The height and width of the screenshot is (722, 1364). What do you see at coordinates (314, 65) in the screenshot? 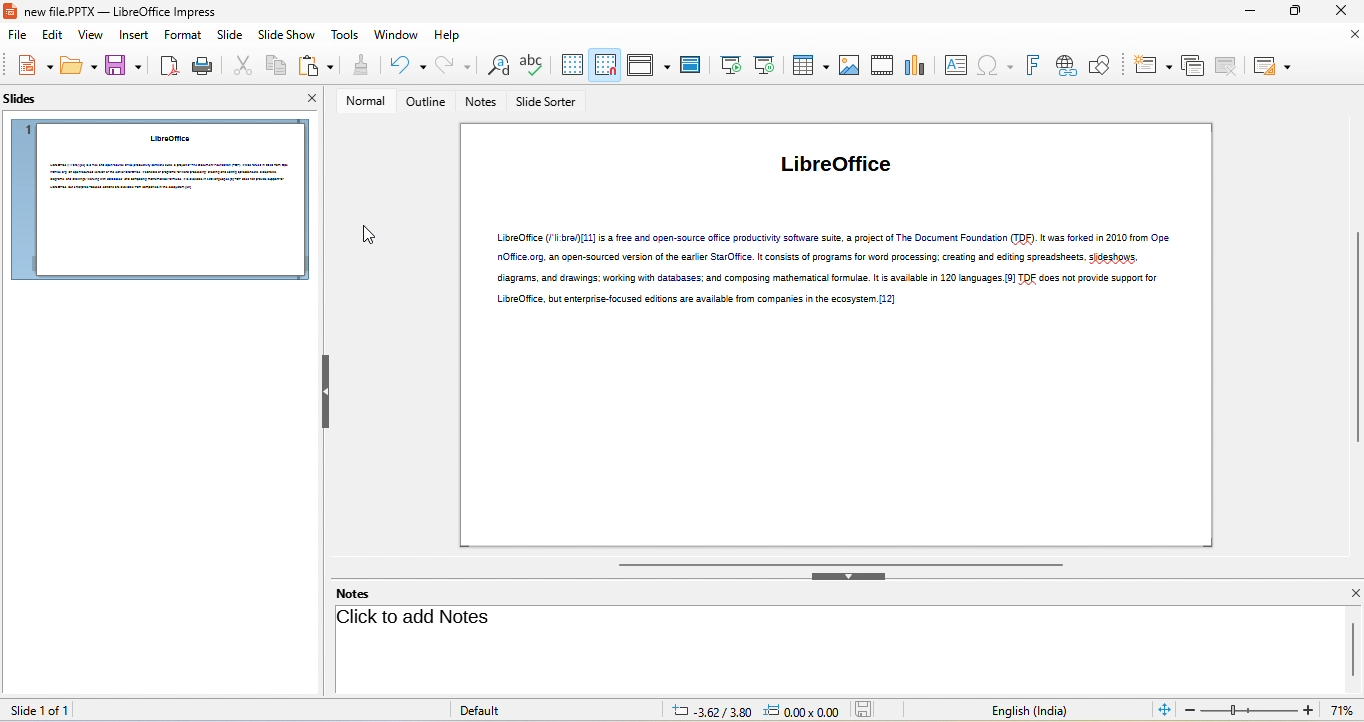
I see `paste` at bounding box center [314, 65].